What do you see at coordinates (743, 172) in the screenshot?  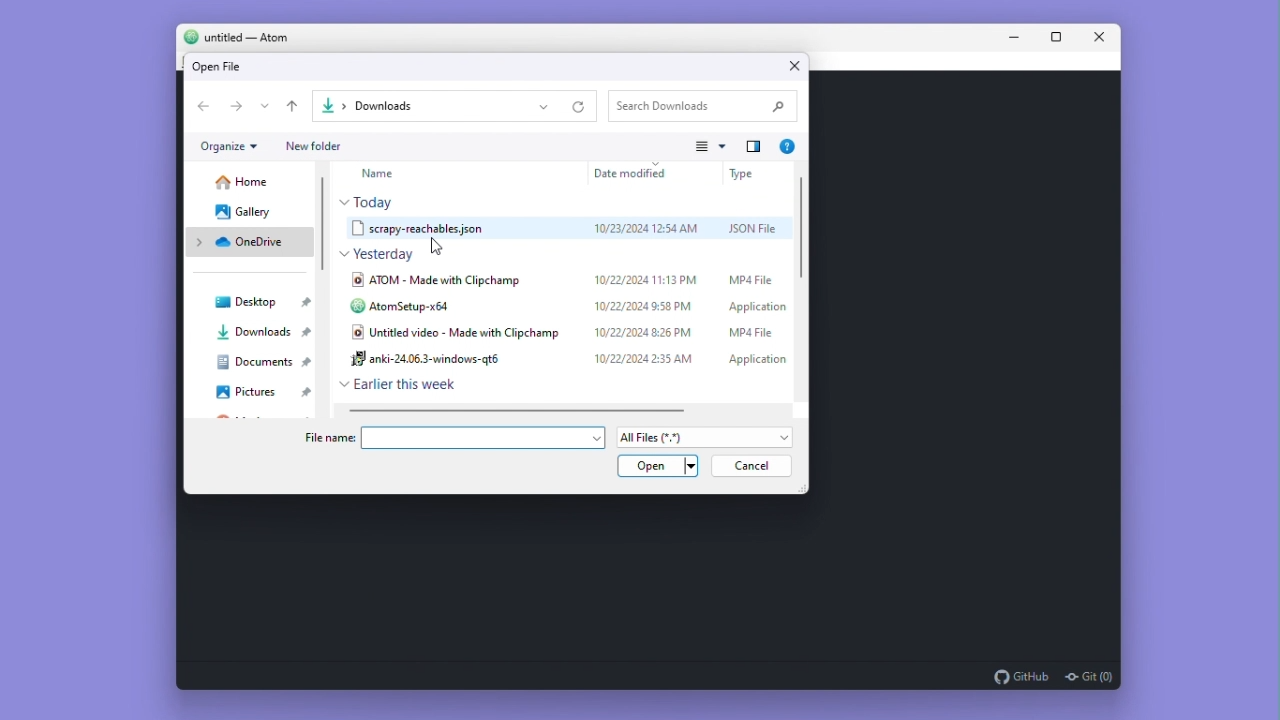 I see `Type` at bounding box center [743, 172].